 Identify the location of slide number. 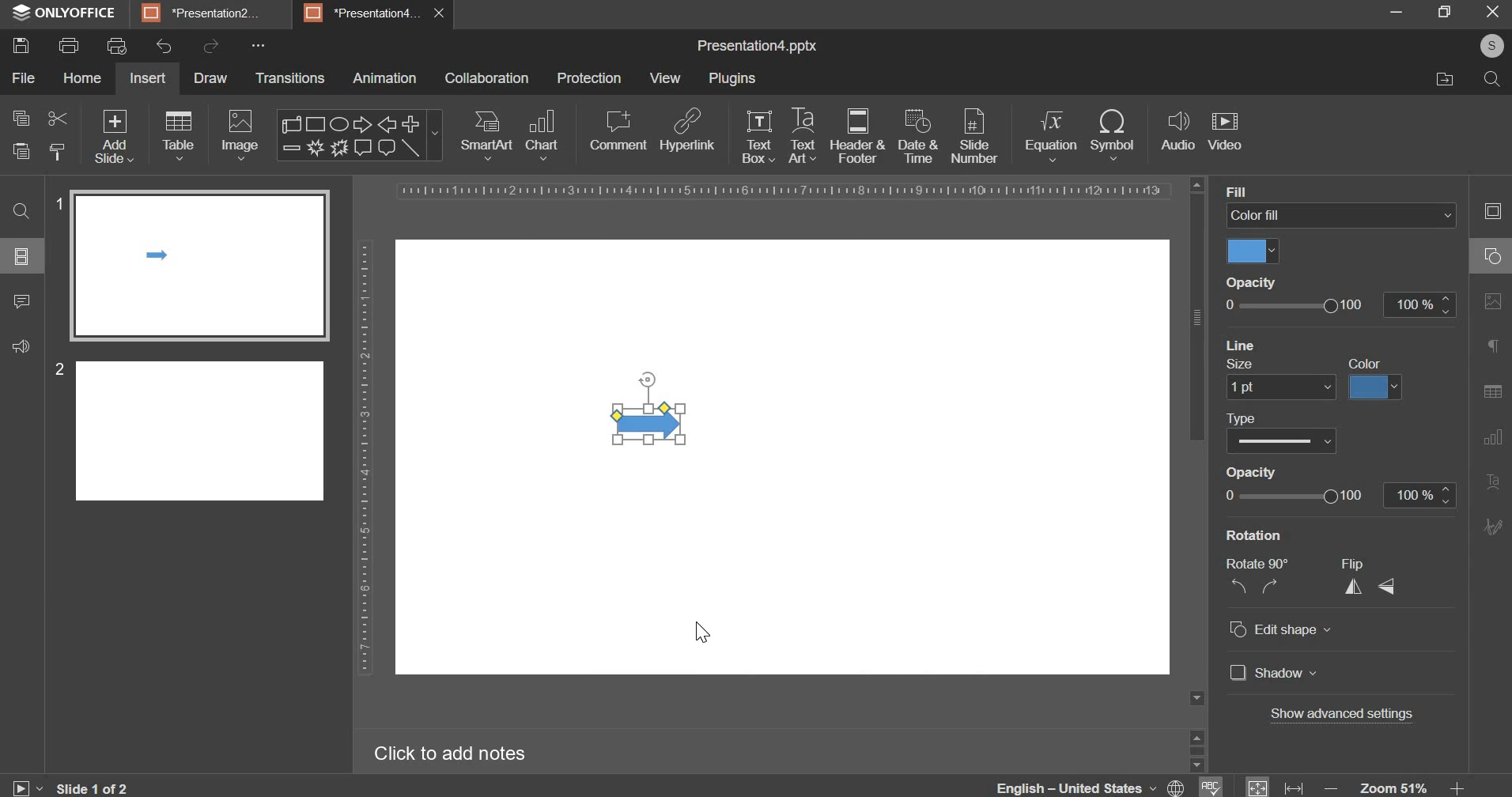
(974, 138).